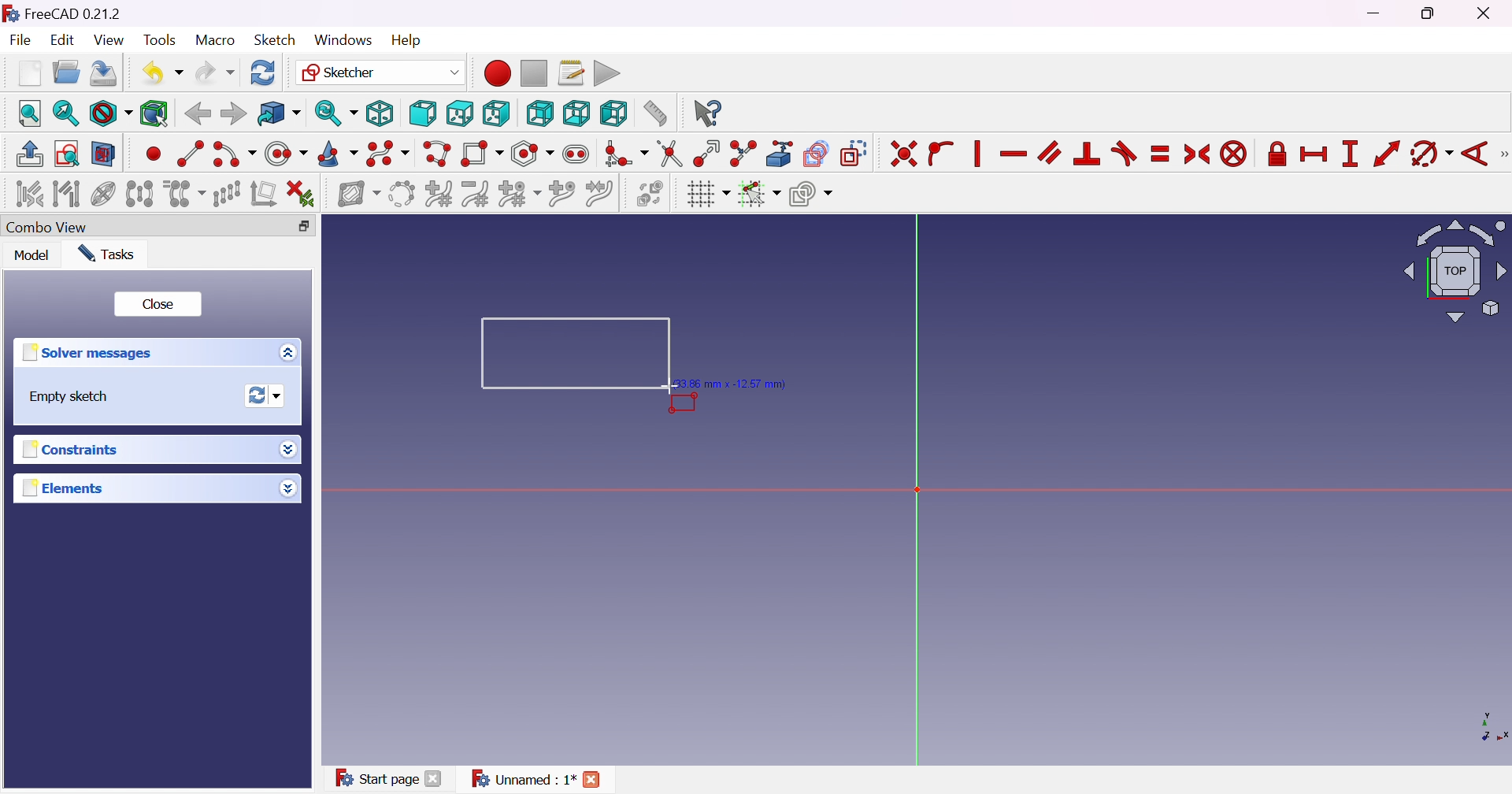 The image size is (1512, 794). What do you see at coordinates (780, 154) in the screenshot?
I see `Create external geometry` at bounding box center [780, 154].